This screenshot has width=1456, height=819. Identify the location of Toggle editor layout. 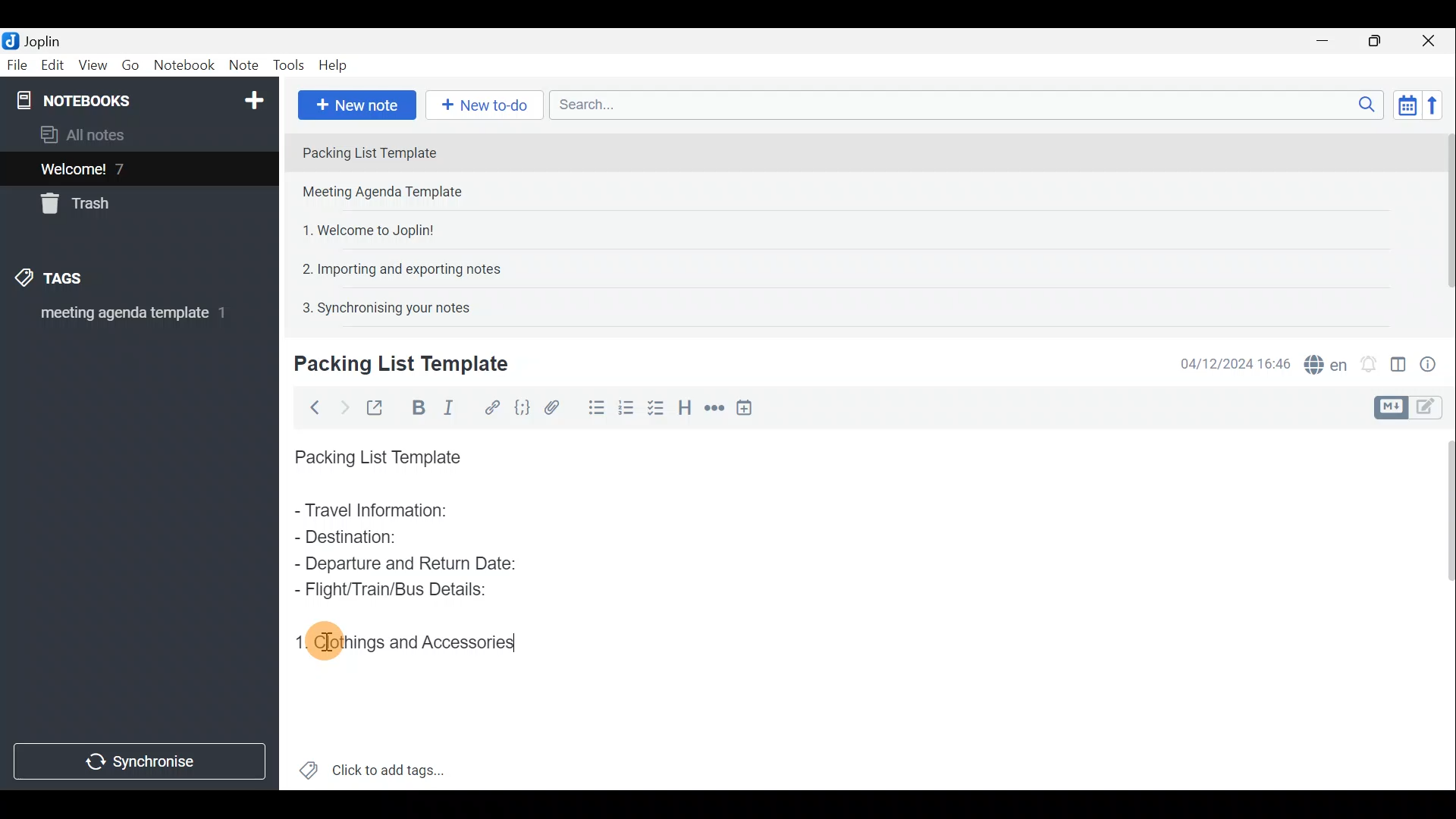
(1398, 359).